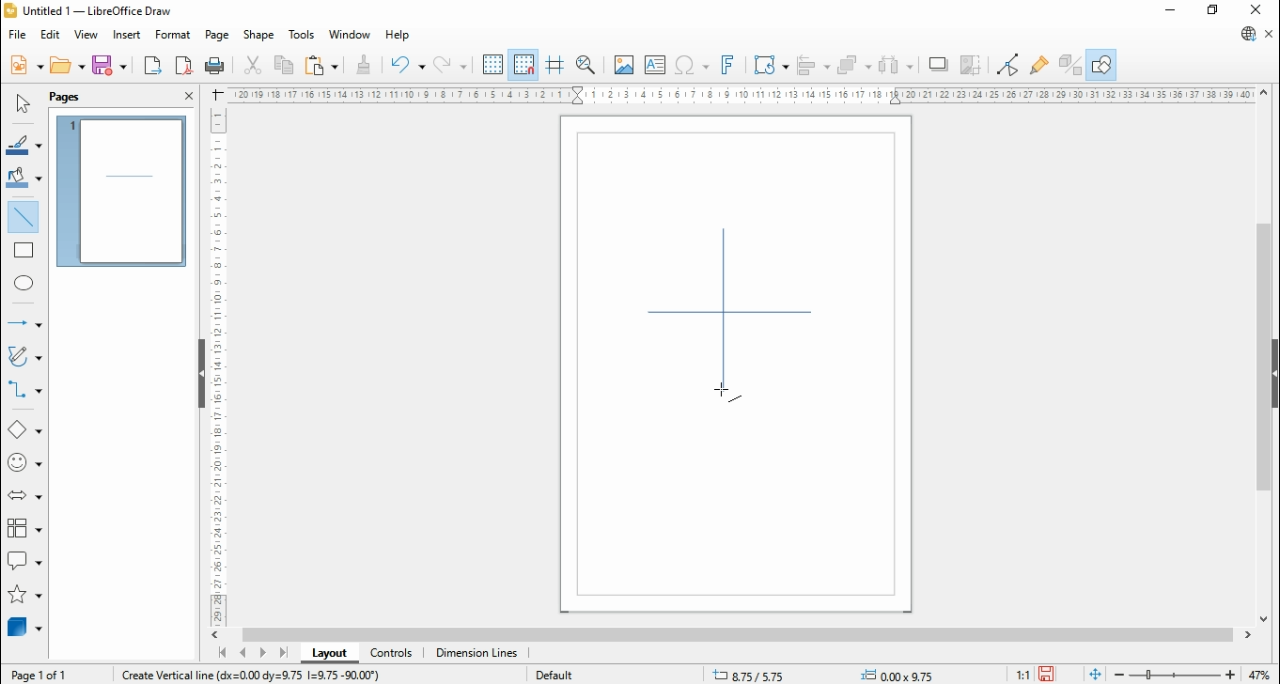 Image resolution: width=1280 pixels, height=684 pixels. What do you see at coordinates (1270, 34) in the screenshot?
I see `close document` at bounding box center [1270, 34].